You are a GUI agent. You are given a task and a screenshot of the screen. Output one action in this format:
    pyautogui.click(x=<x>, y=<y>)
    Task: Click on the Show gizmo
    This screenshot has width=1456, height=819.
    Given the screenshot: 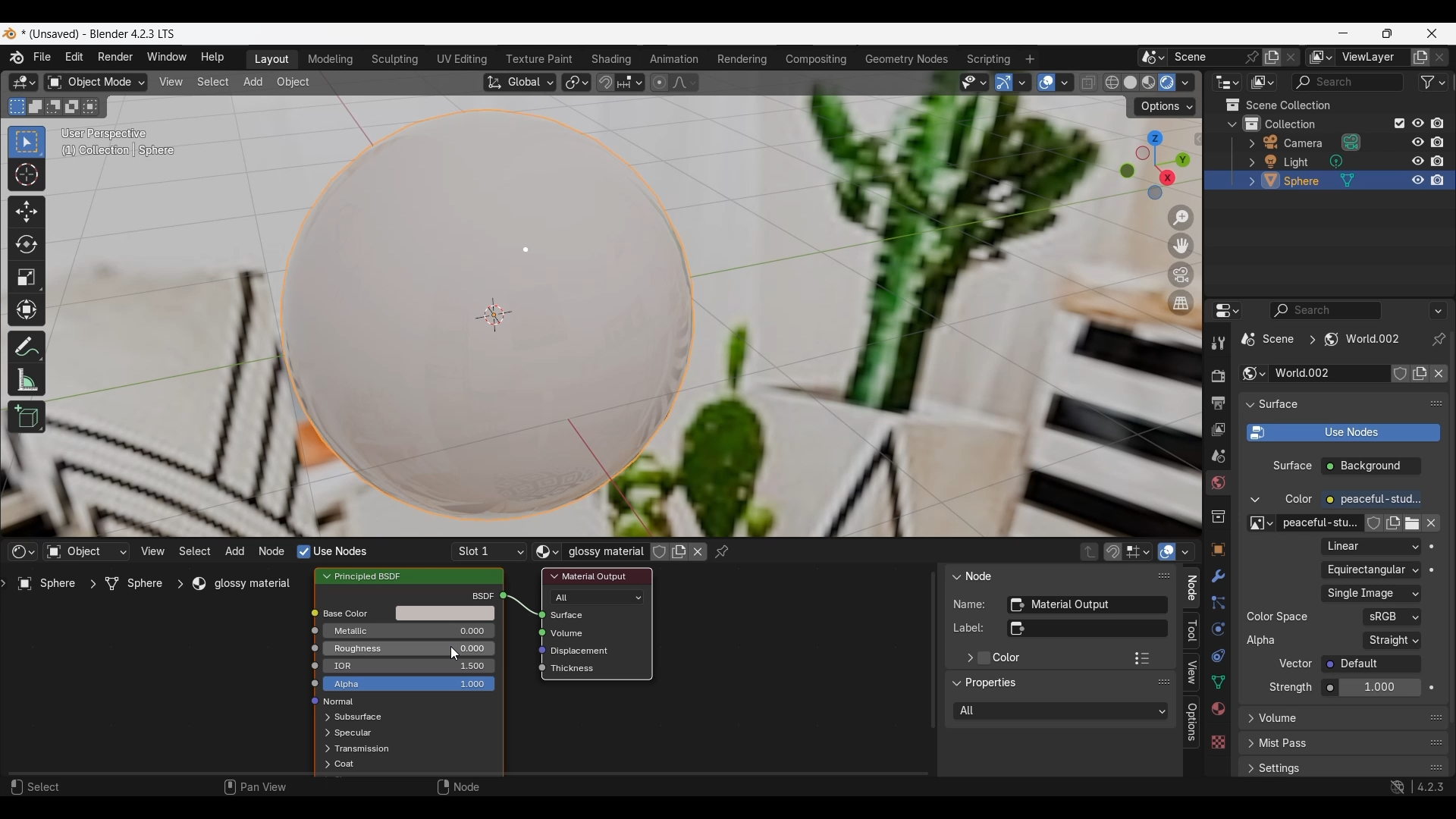 What is the action you would take?
    pyautogui.click(x=1003, y=83)
    